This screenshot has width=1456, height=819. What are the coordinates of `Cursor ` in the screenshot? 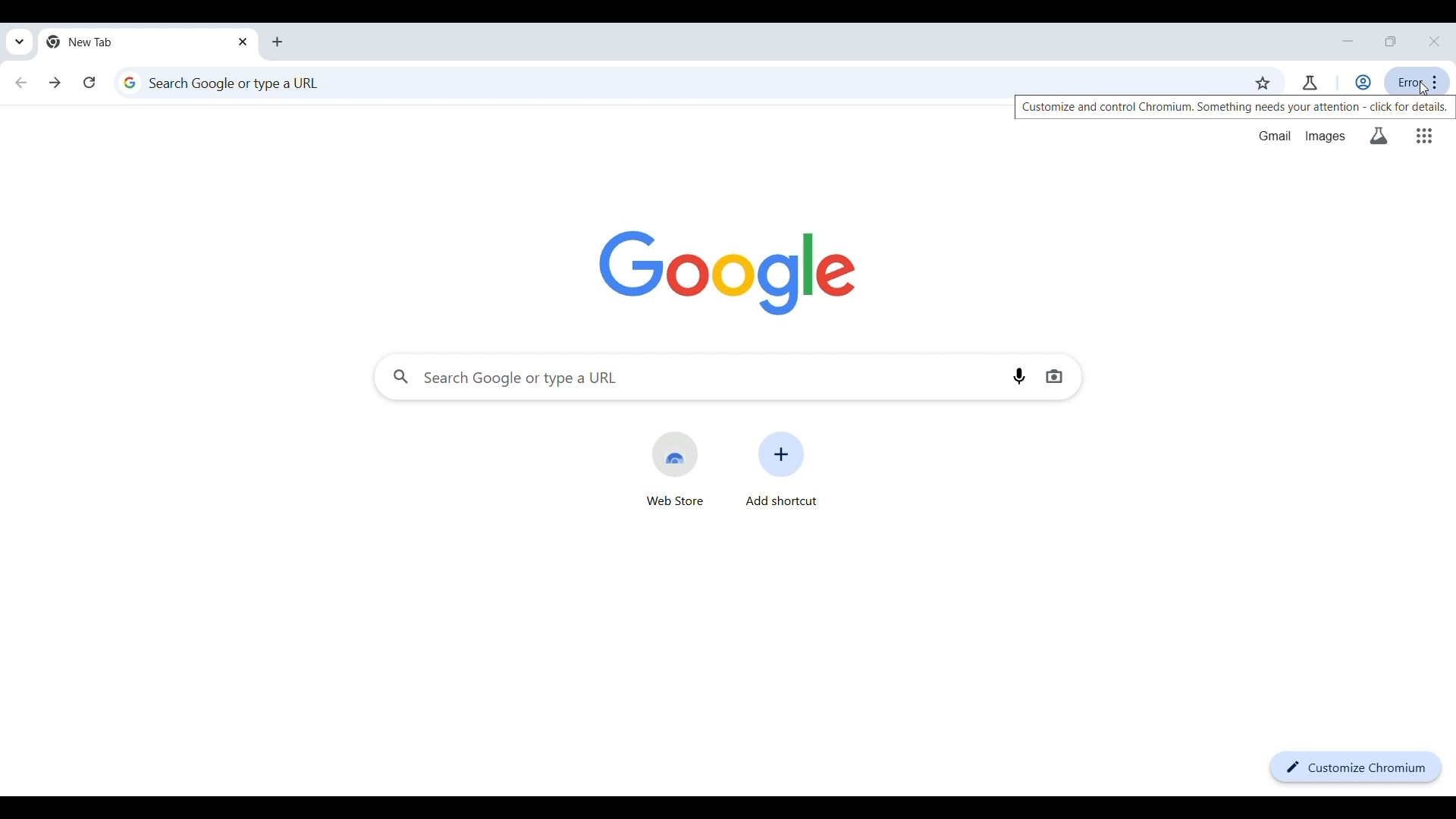 It's located at (1426, 88).